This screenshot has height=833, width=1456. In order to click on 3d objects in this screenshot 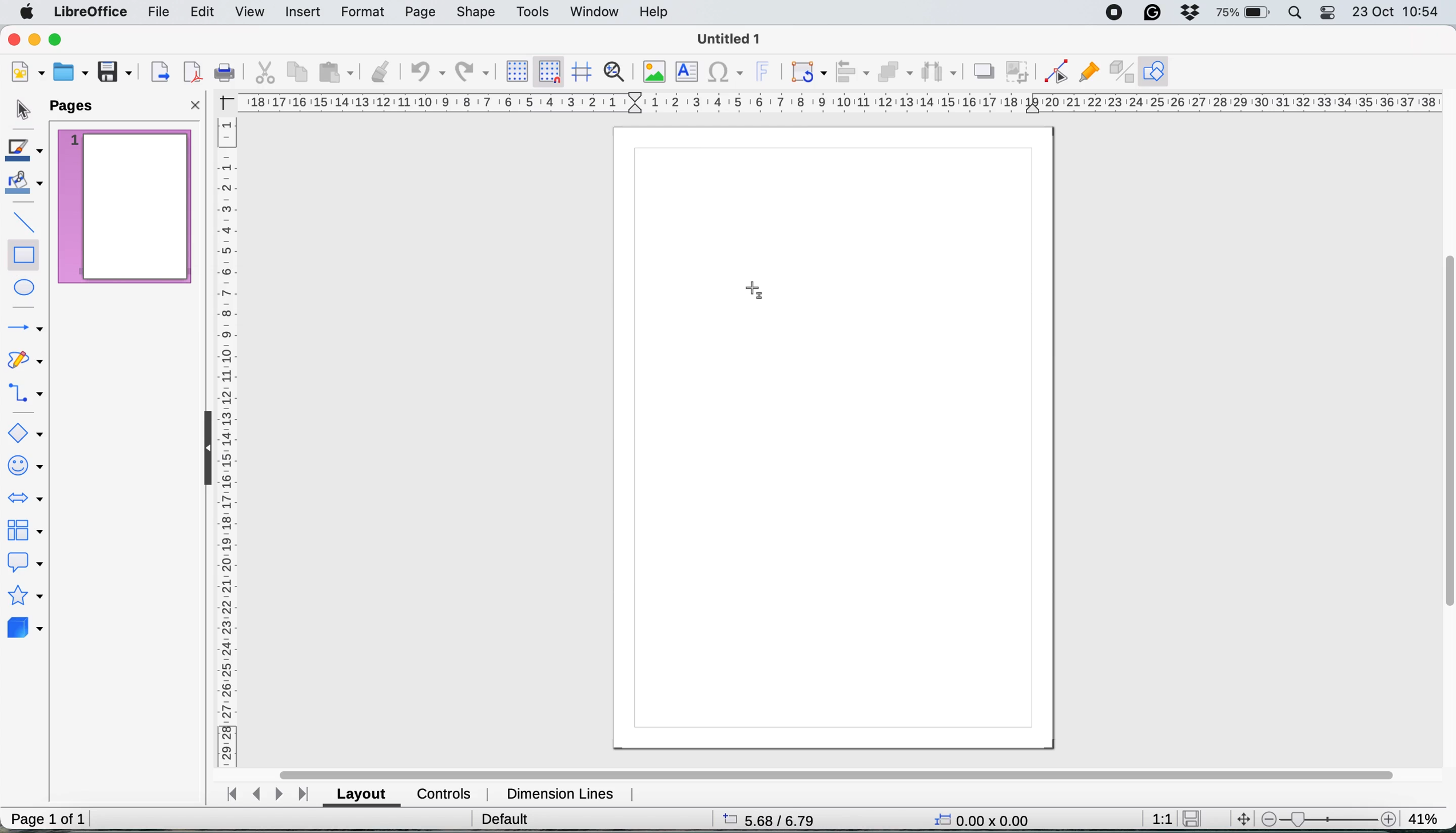, I will do `click(26, 630)`.